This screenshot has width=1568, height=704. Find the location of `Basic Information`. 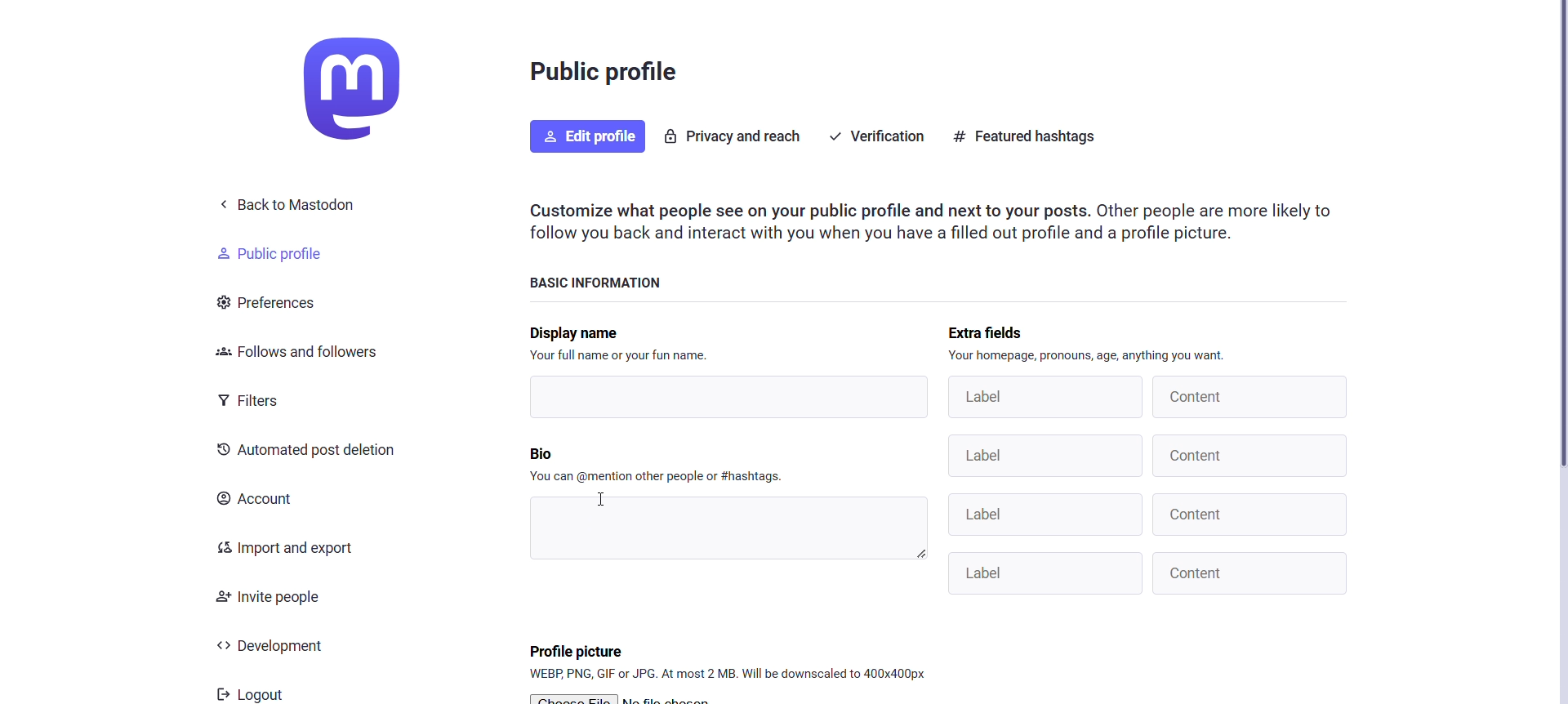

Basic Information is located at coordinates (604, 281).